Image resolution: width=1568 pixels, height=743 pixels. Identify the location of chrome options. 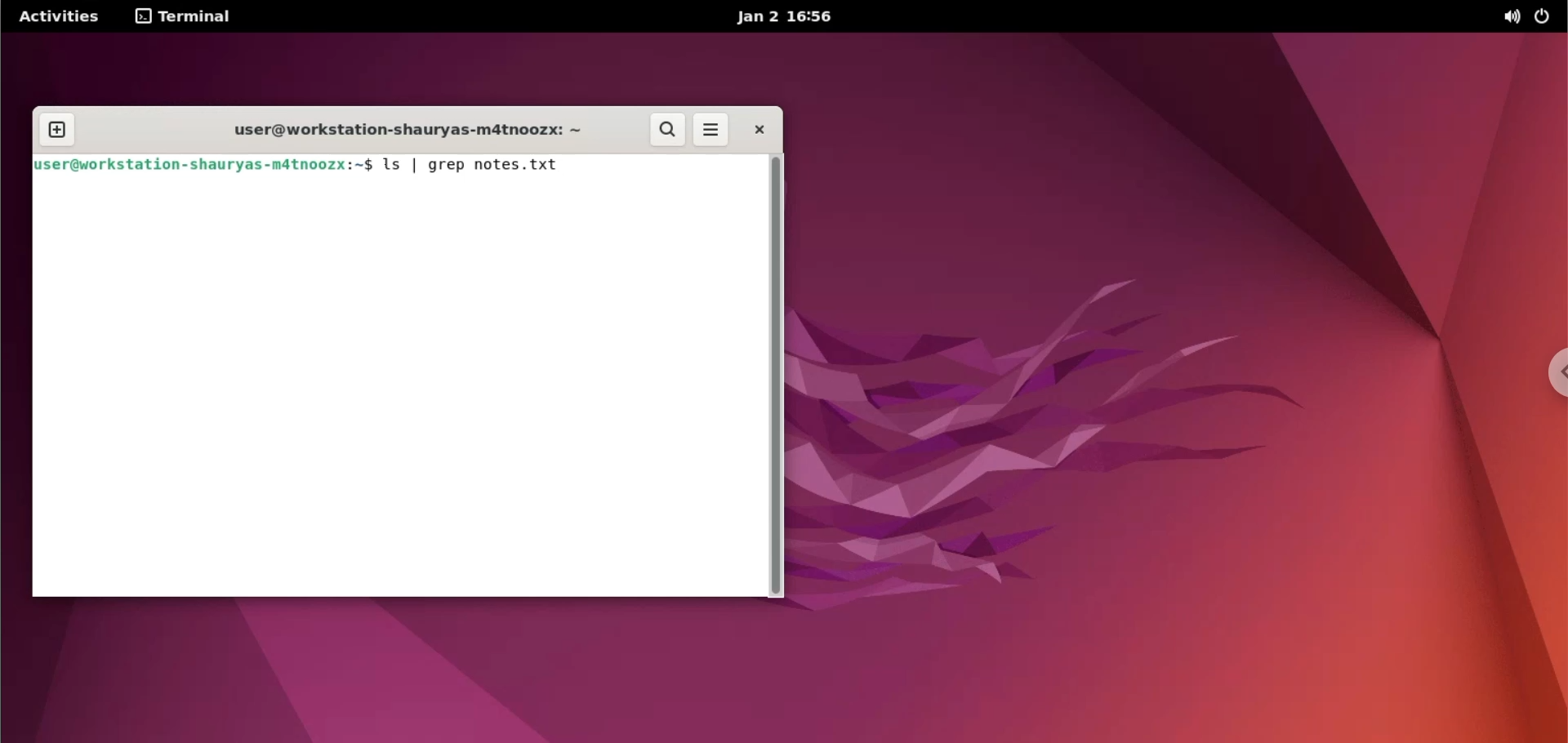
(1550, 380).